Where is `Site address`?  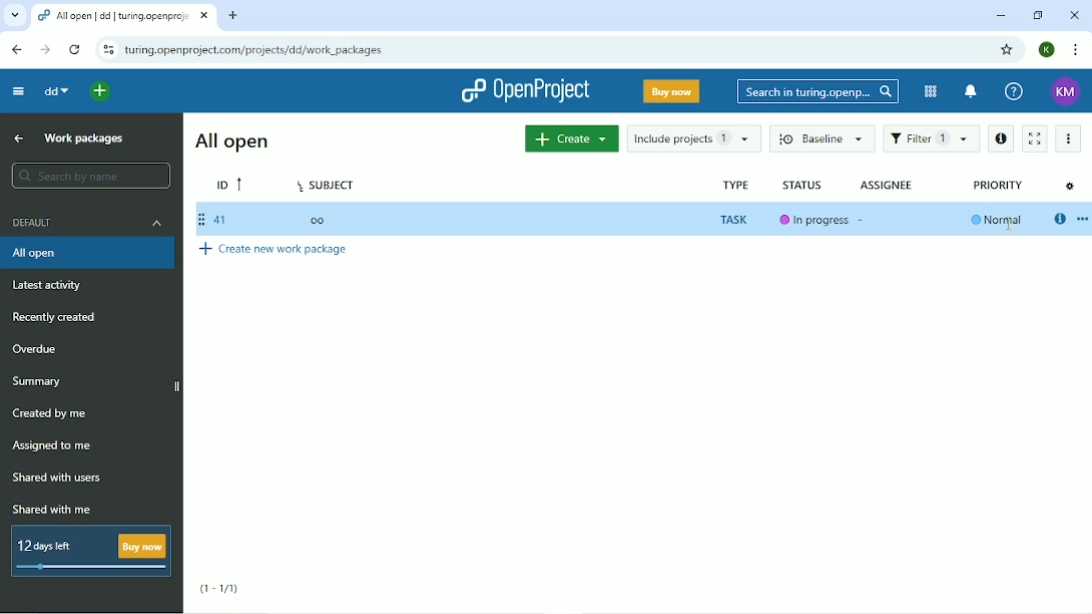
Site address is located at coordinates (255, 52).